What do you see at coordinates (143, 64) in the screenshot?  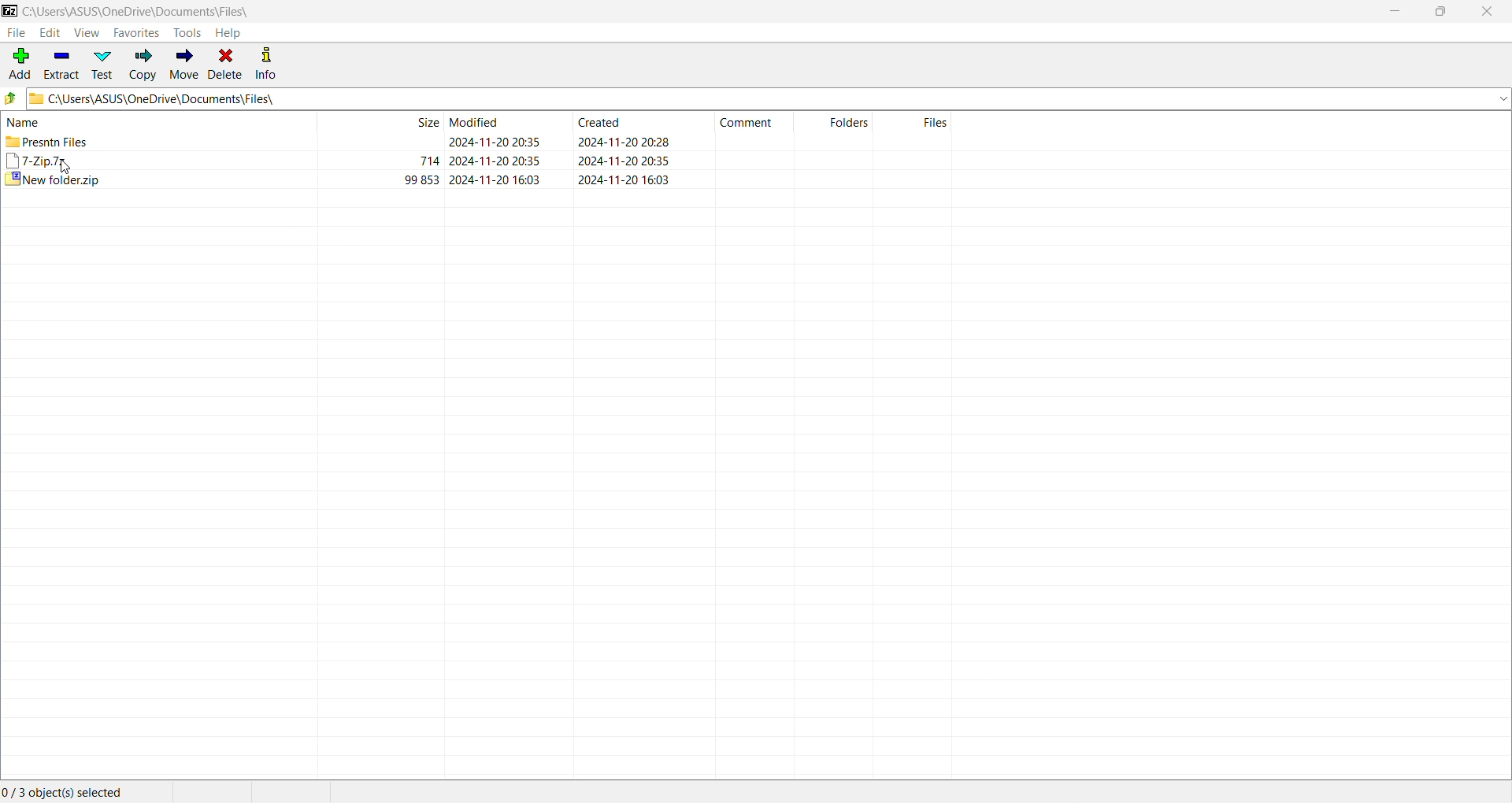 I see `Copy` at bounding box center [143, 64].